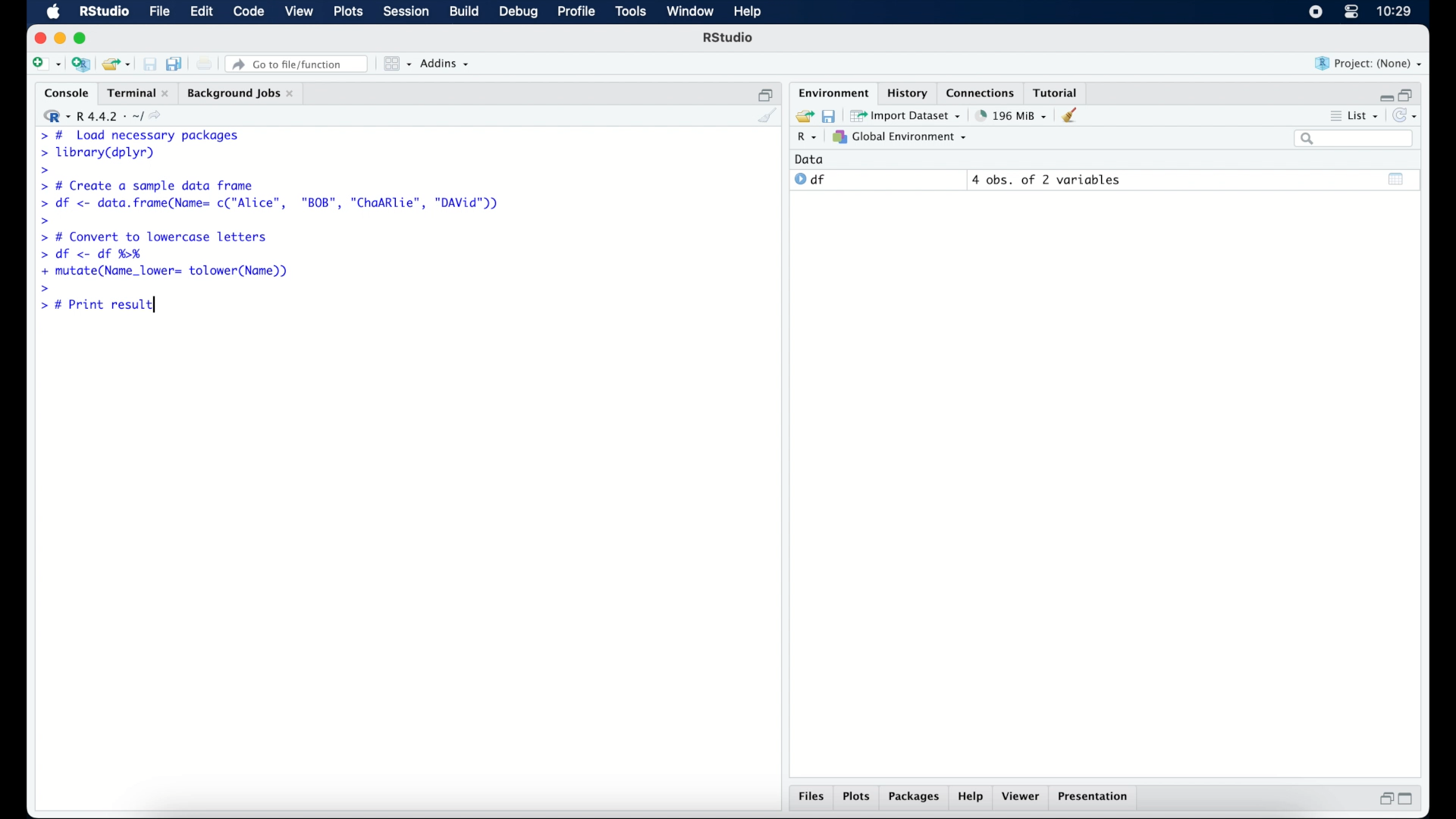  What do you see at coordinates (1370, 64) in the screenshot?
I see `project (none)` at bounding box center [1370, 64].